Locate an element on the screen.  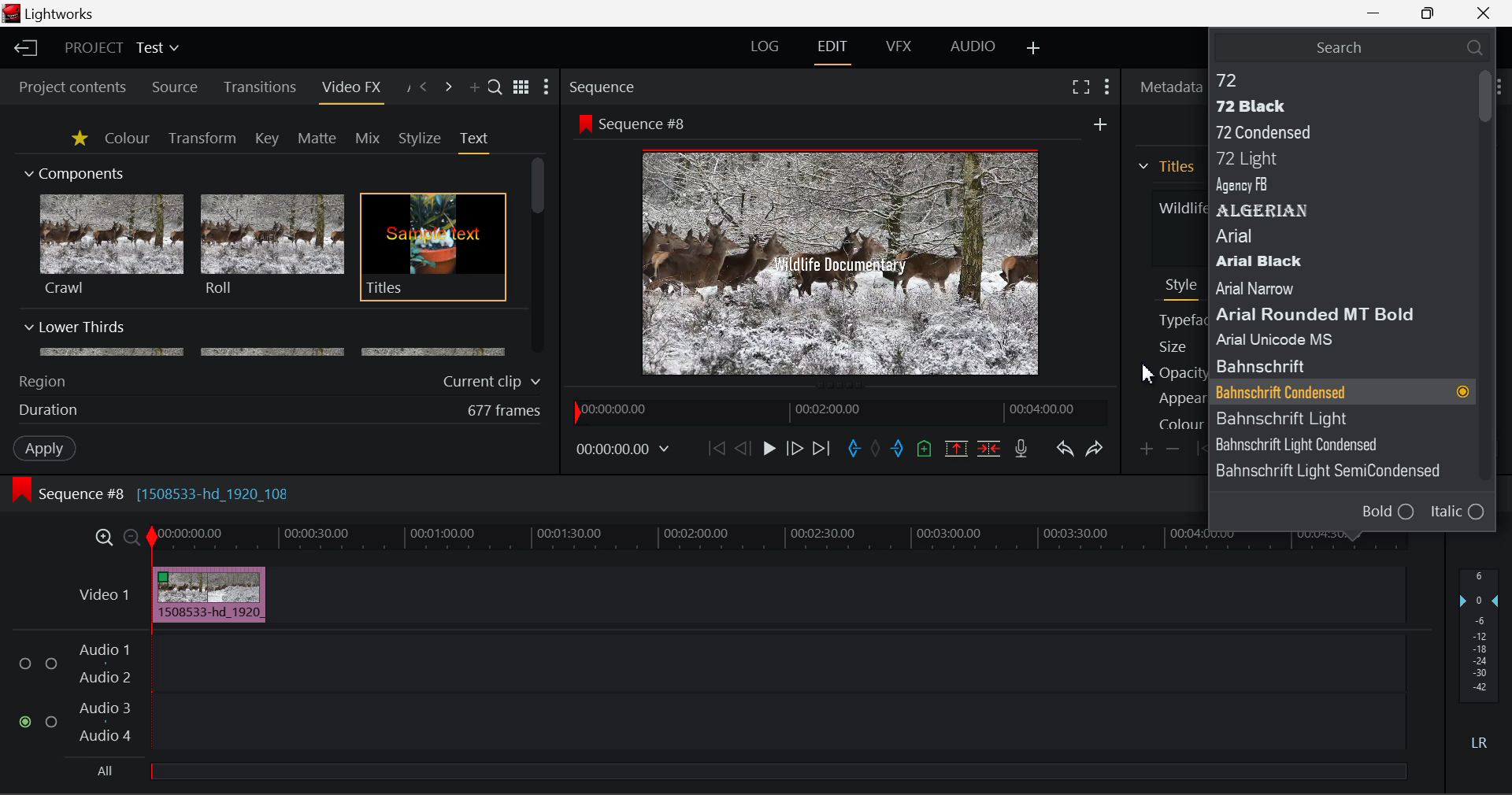
Titles is located at coordinates (433, 248).